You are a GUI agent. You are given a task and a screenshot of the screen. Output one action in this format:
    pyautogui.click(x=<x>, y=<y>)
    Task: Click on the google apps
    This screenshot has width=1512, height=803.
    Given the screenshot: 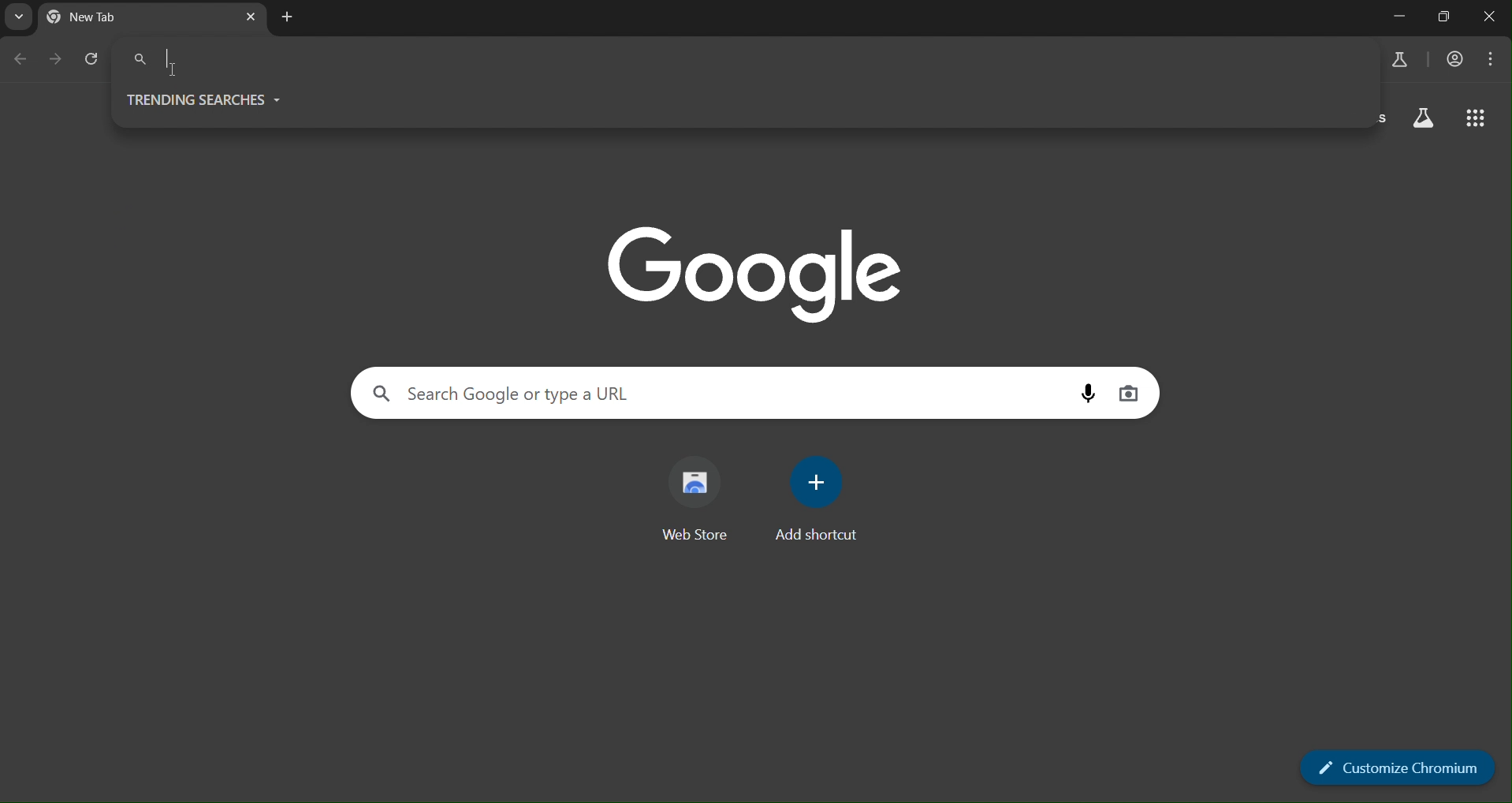 What is the action you would take?
    pyautogui.click(x=1477, y=119)
    